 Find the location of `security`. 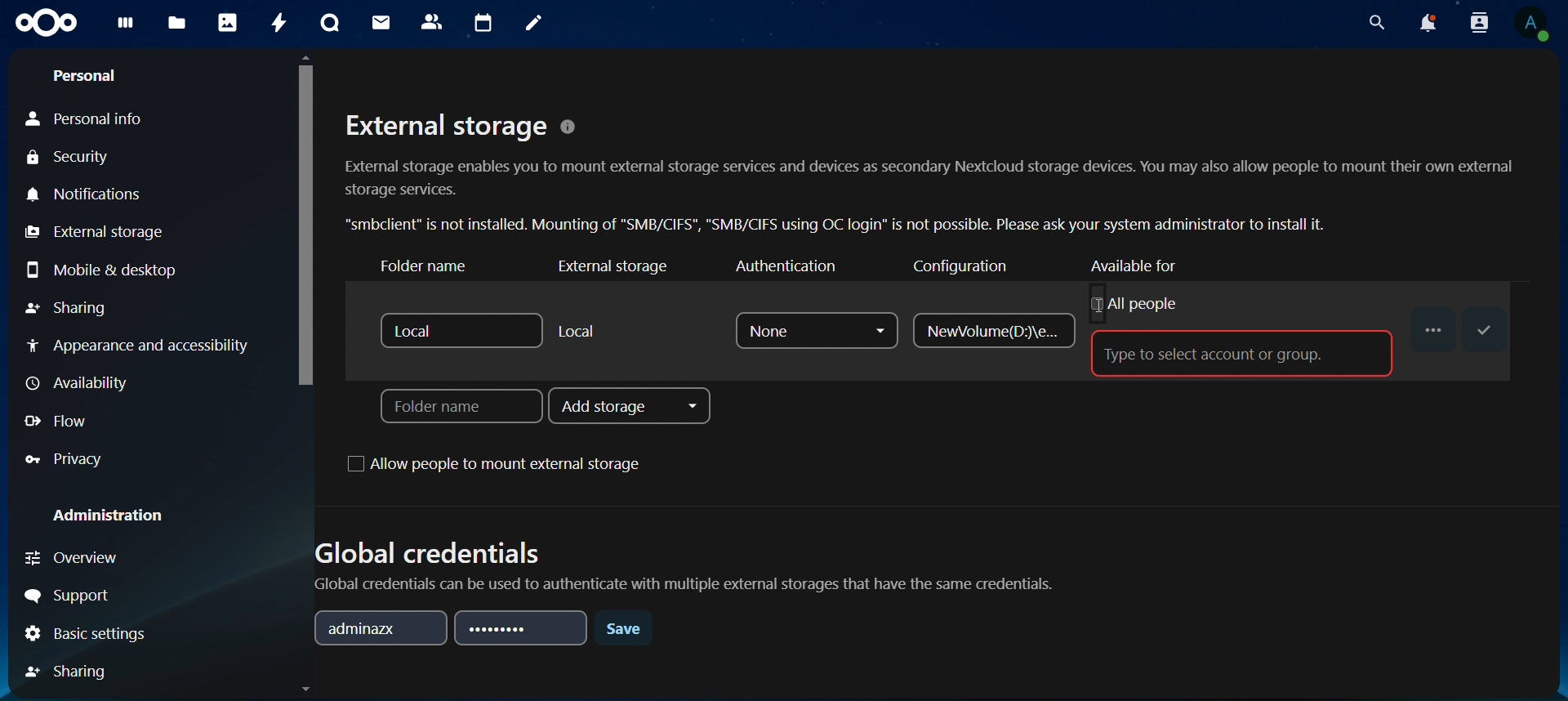

security is located at coordinates (82, 157).